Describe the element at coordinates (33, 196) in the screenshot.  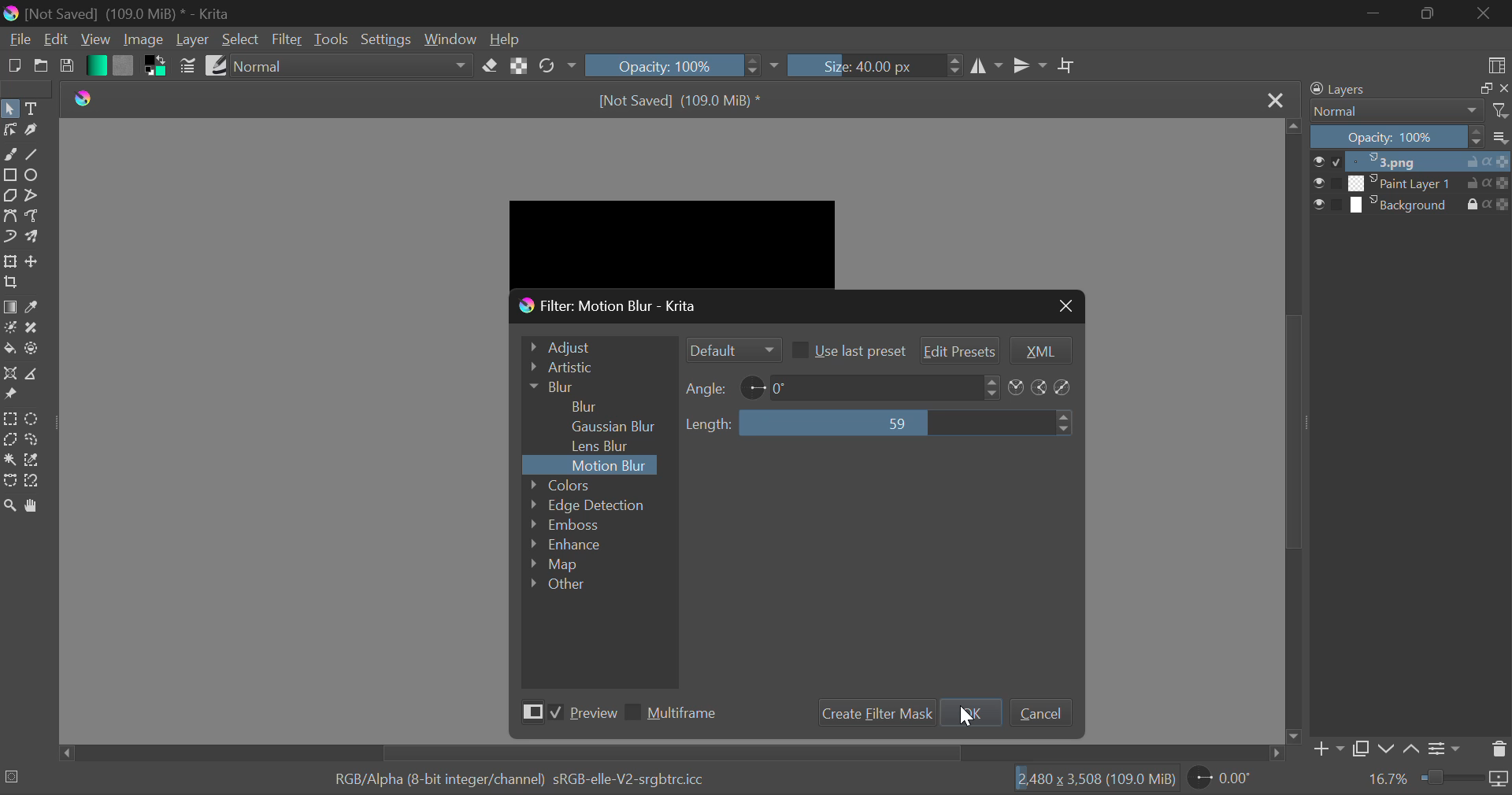
I see `Polyline` at that location.